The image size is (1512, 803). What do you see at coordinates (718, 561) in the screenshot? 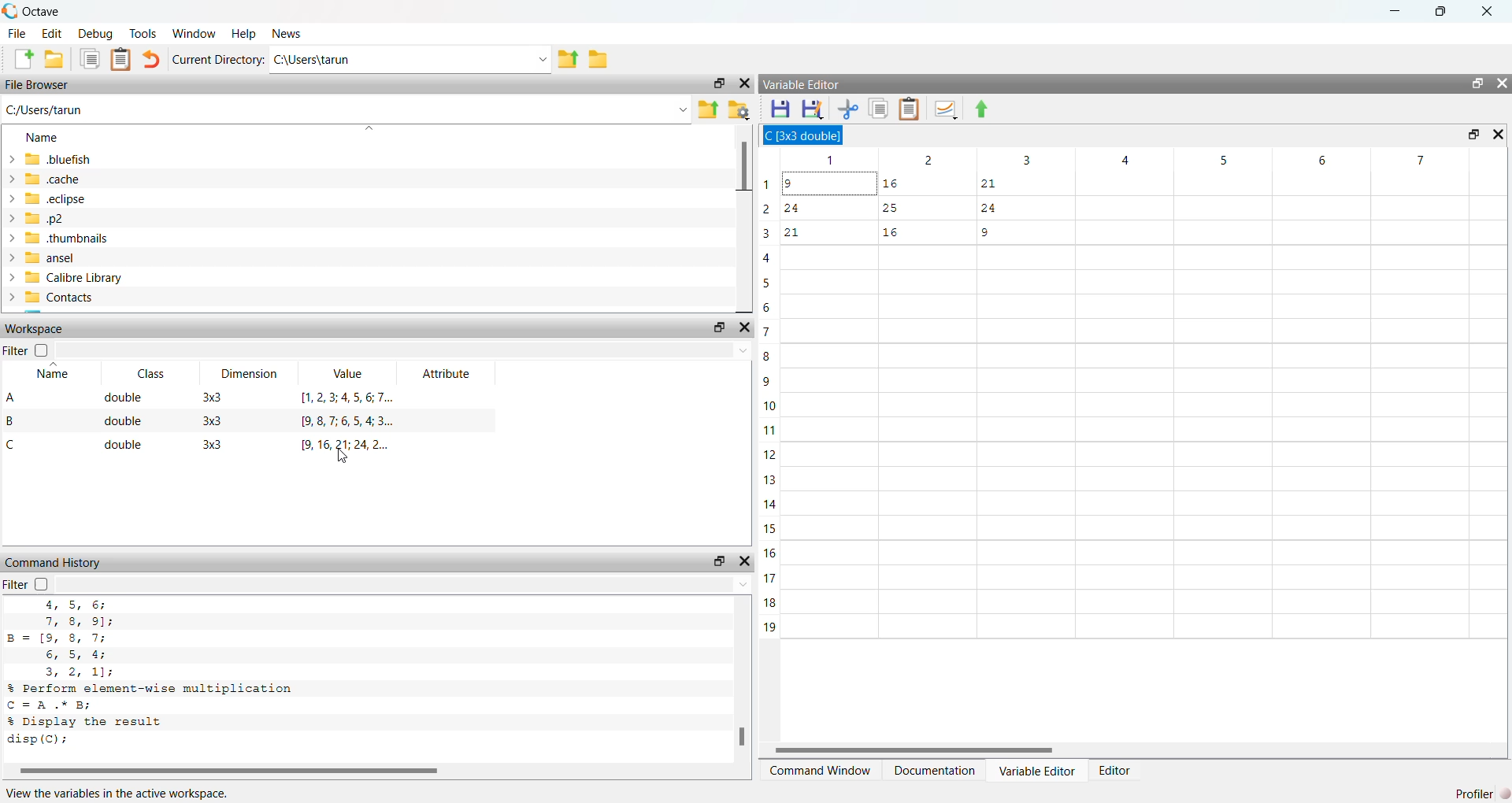
I see `Restore Down` at bounding box center [718, 561].